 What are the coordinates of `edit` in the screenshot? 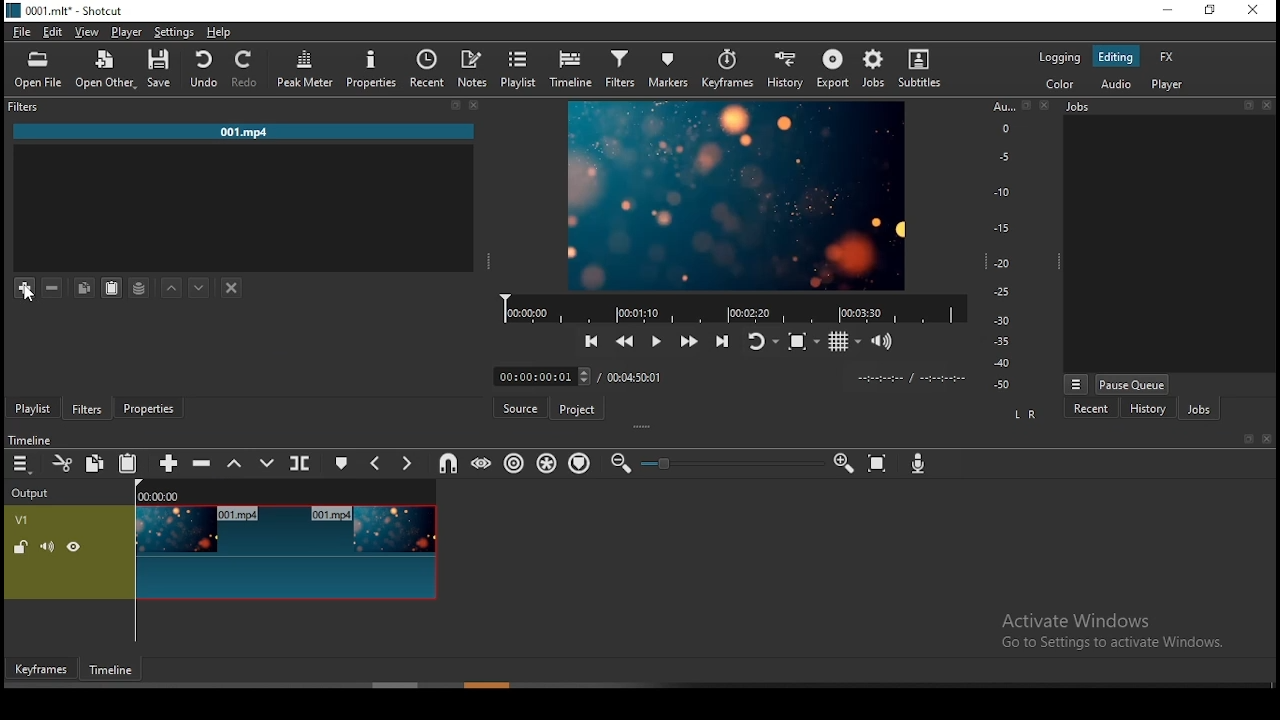 It's located at (55, 32).